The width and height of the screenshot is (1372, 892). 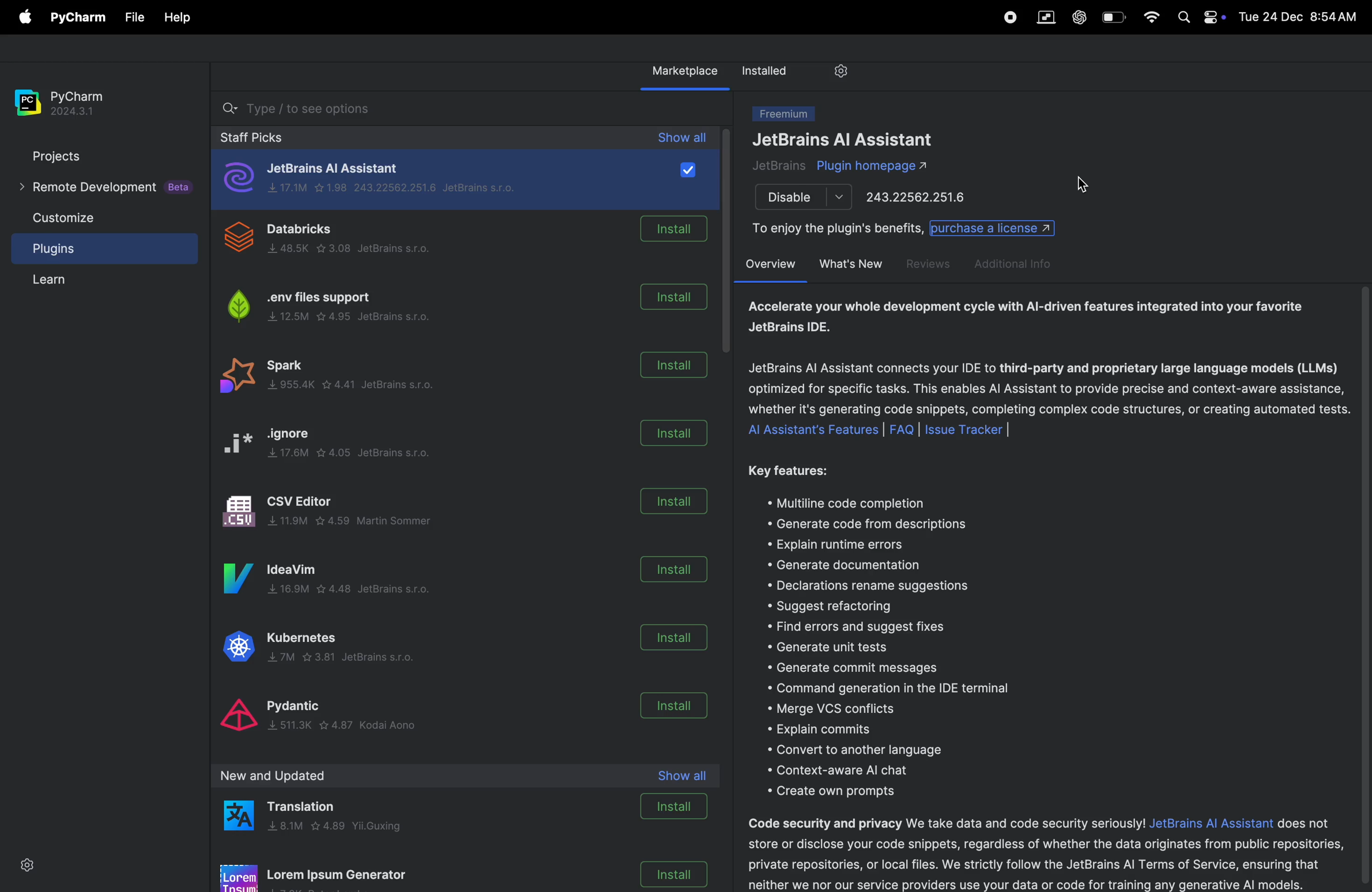 What do you see at coordinates (76, 18) in the screenshot?
I see `pycharm` at bounding box center [76, 18].